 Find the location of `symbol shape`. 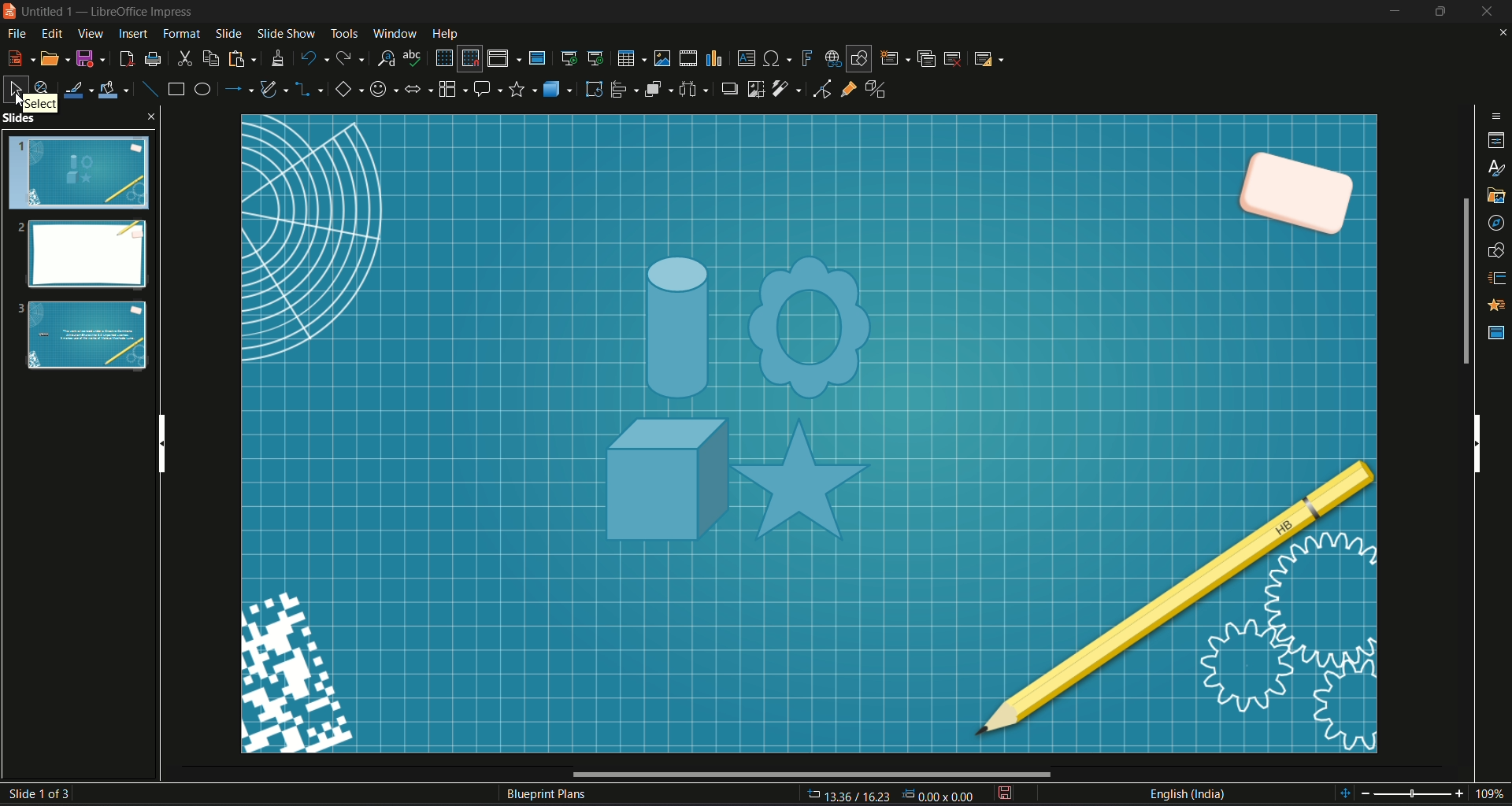

symbol shape is located at coordinates (382, 91).